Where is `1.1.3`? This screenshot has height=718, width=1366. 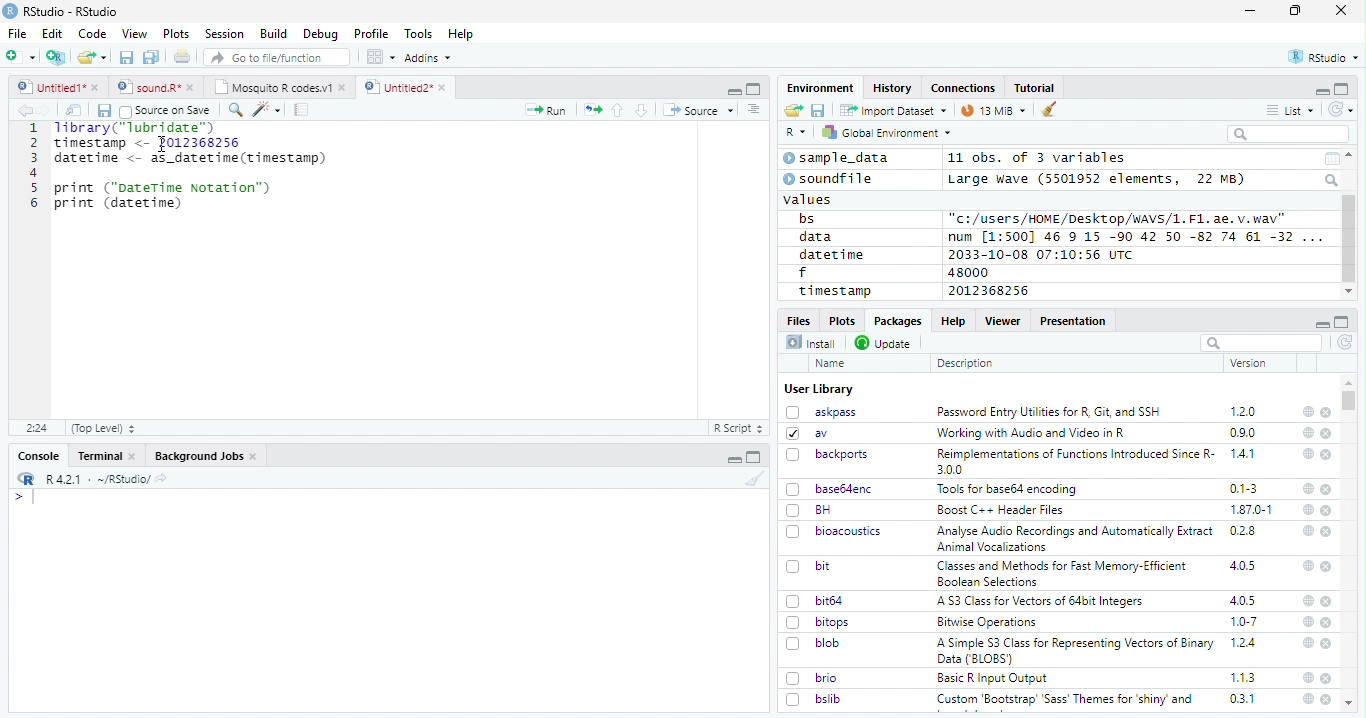
1.1.3 is located at coordinates (1243, 677).